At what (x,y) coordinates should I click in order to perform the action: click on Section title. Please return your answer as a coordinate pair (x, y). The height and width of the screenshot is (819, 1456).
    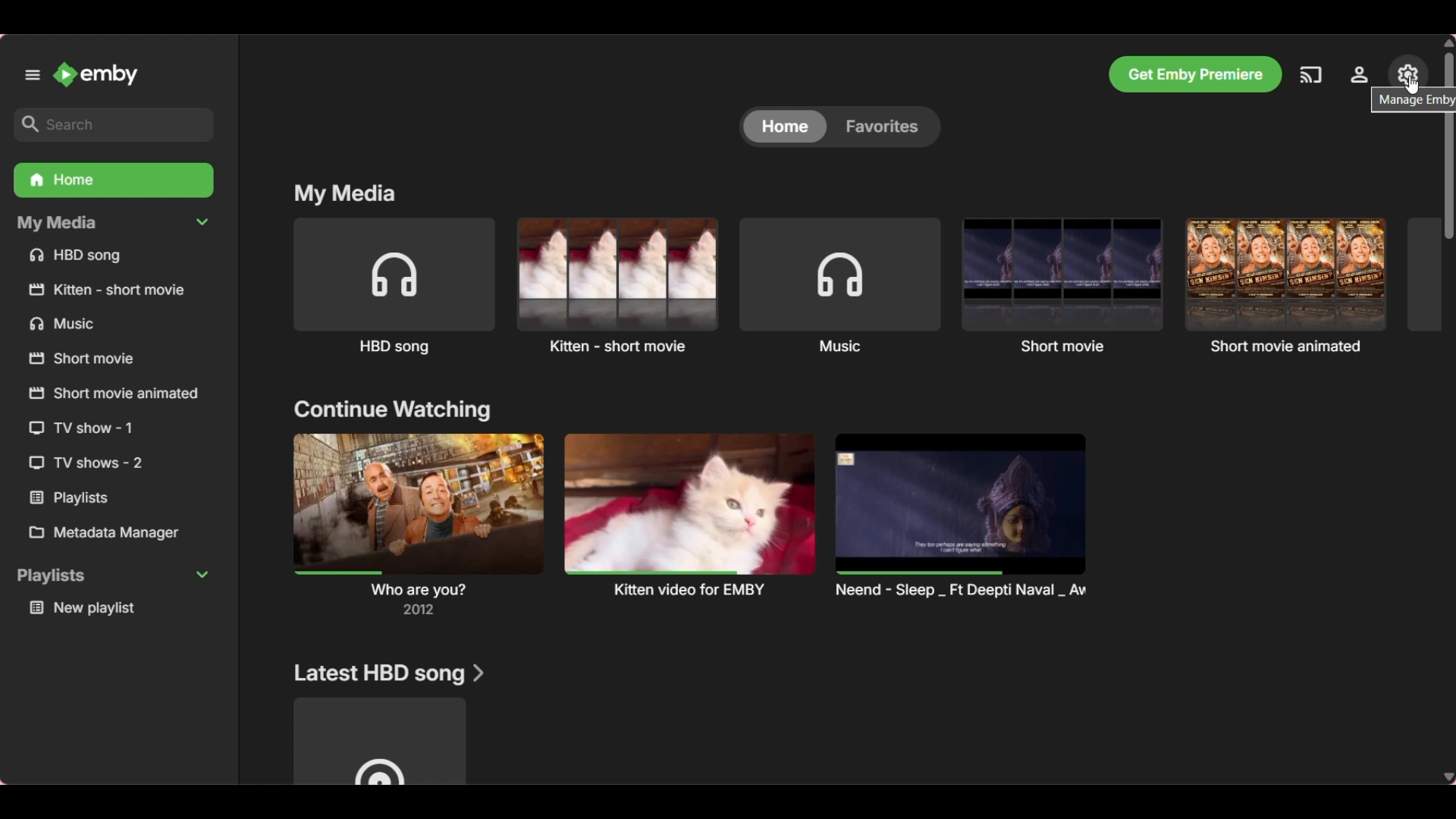
    Looking at the image, I should click on (394, 410).